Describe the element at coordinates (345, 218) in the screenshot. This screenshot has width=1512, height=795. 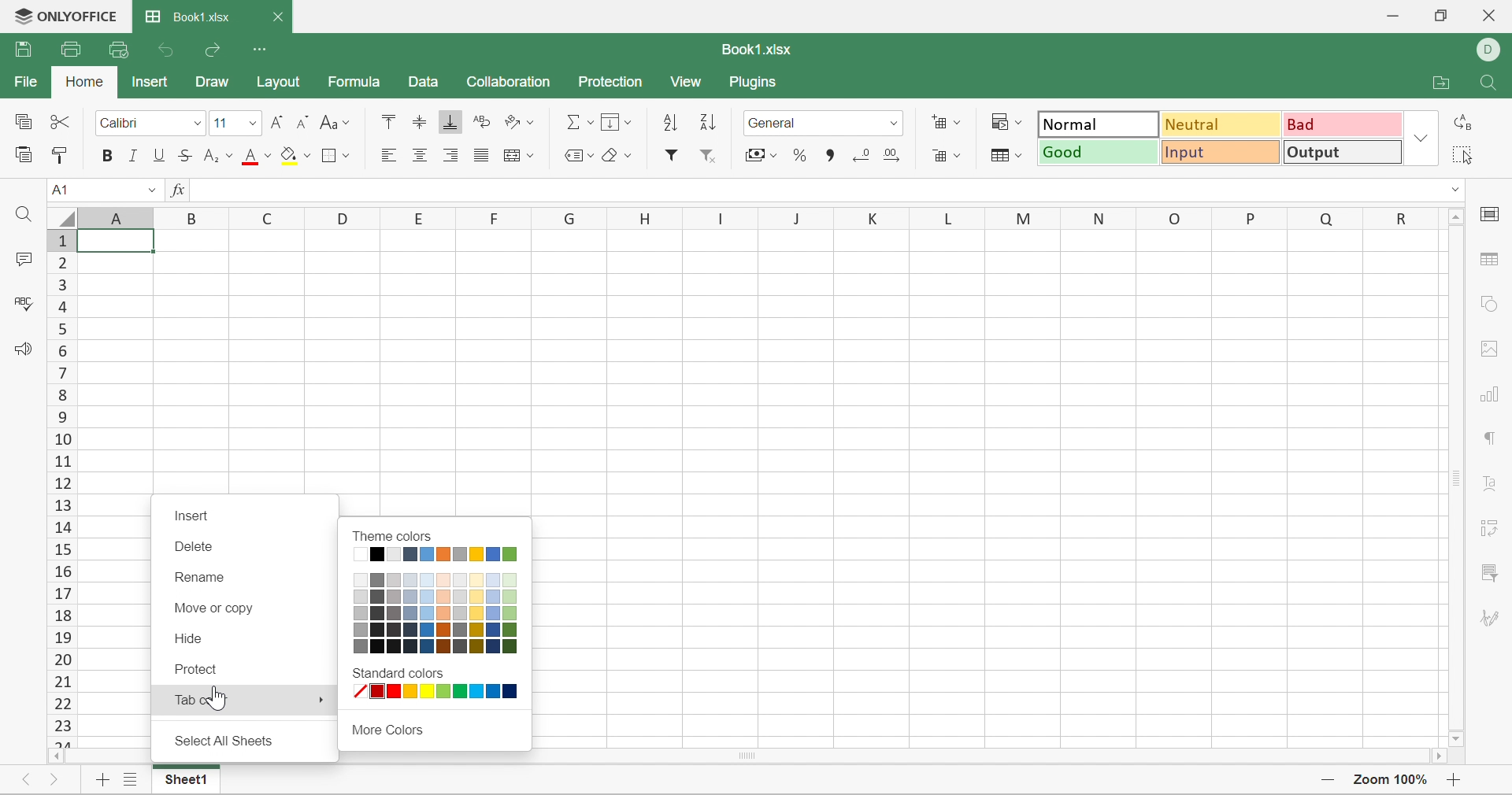
I see `D` at that location.